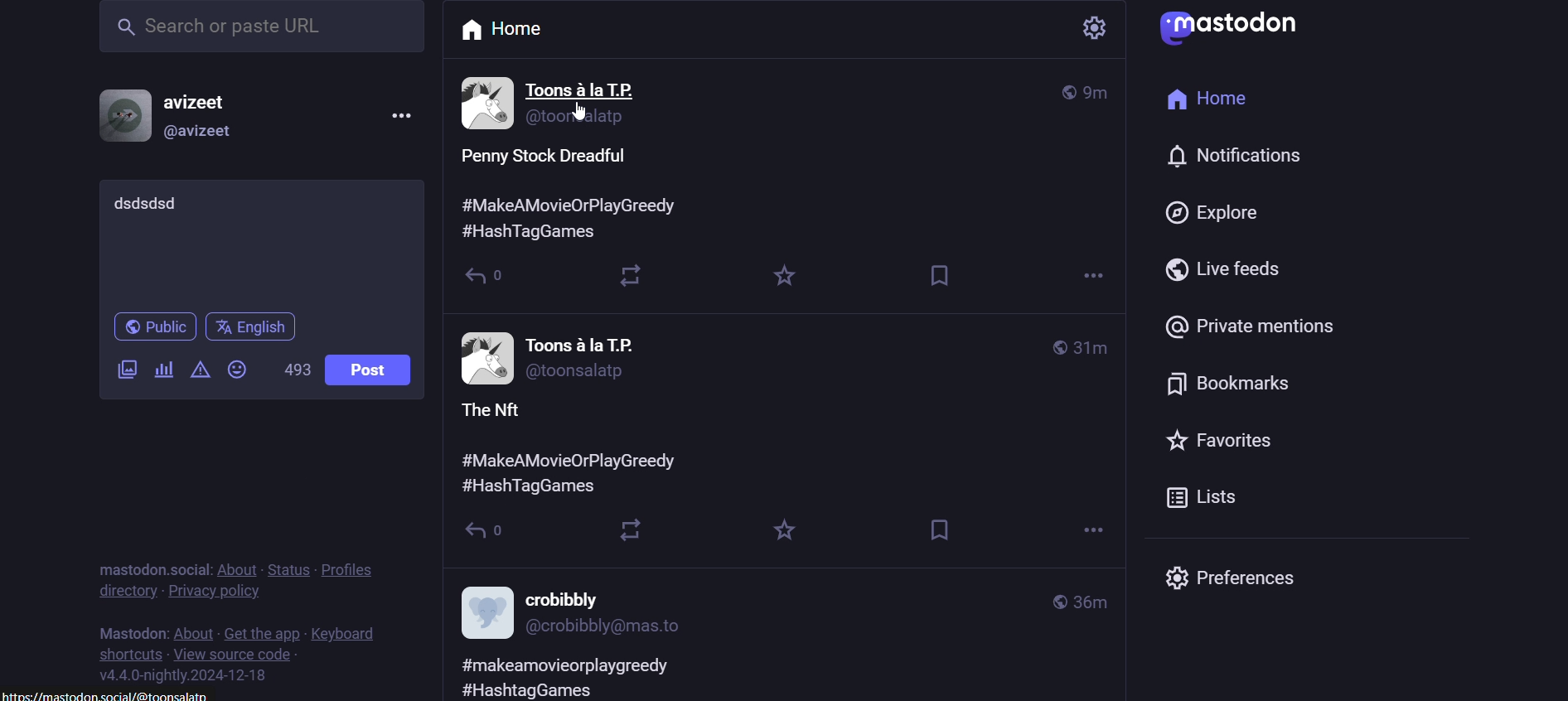 The width and height of the screenshot is (1568, 701). Describe the element at coordinates (122, 594) in the screenshot. I see `directory` at that location.